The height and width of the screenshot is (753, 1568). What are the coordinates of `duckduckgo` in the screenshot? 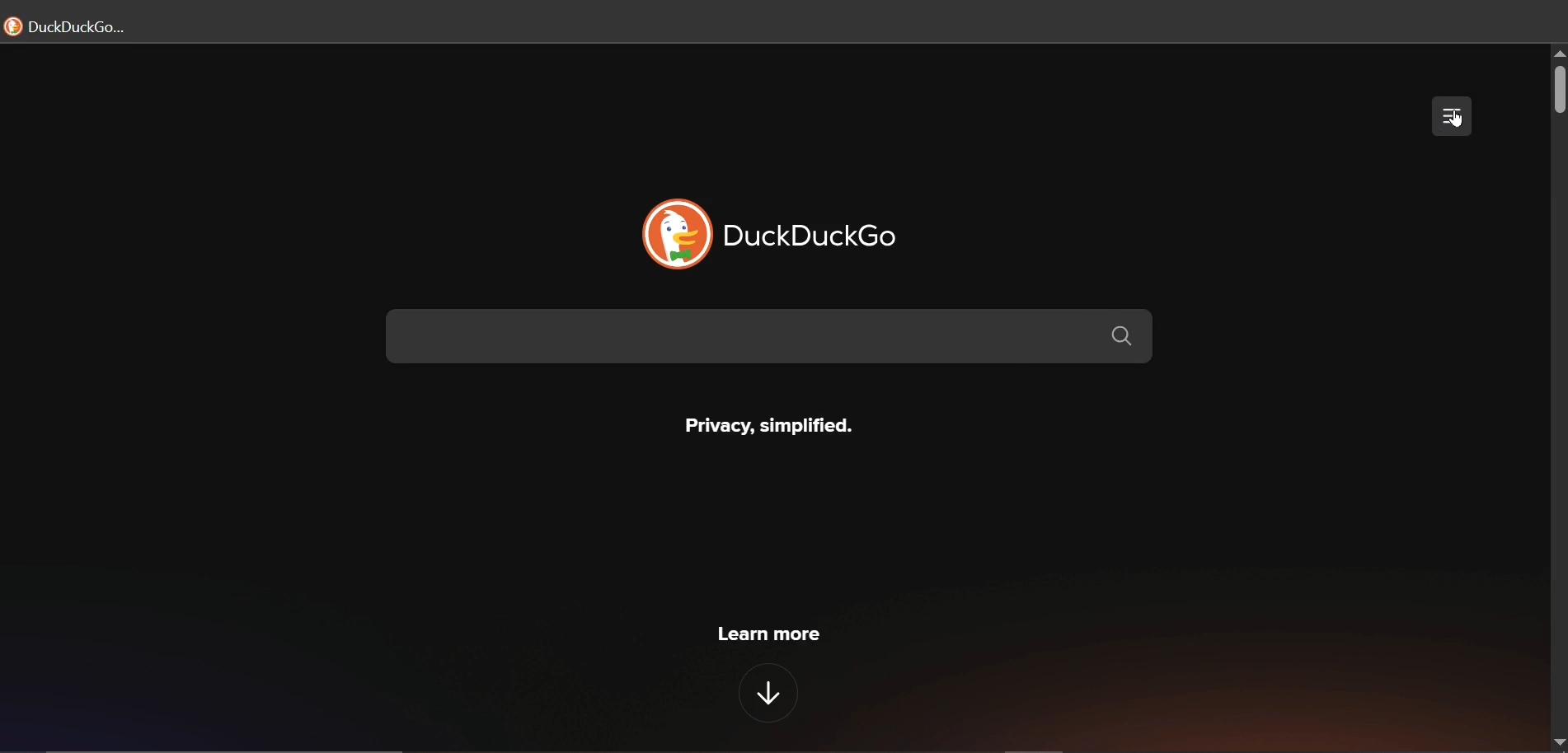 It's located at (74, 27).